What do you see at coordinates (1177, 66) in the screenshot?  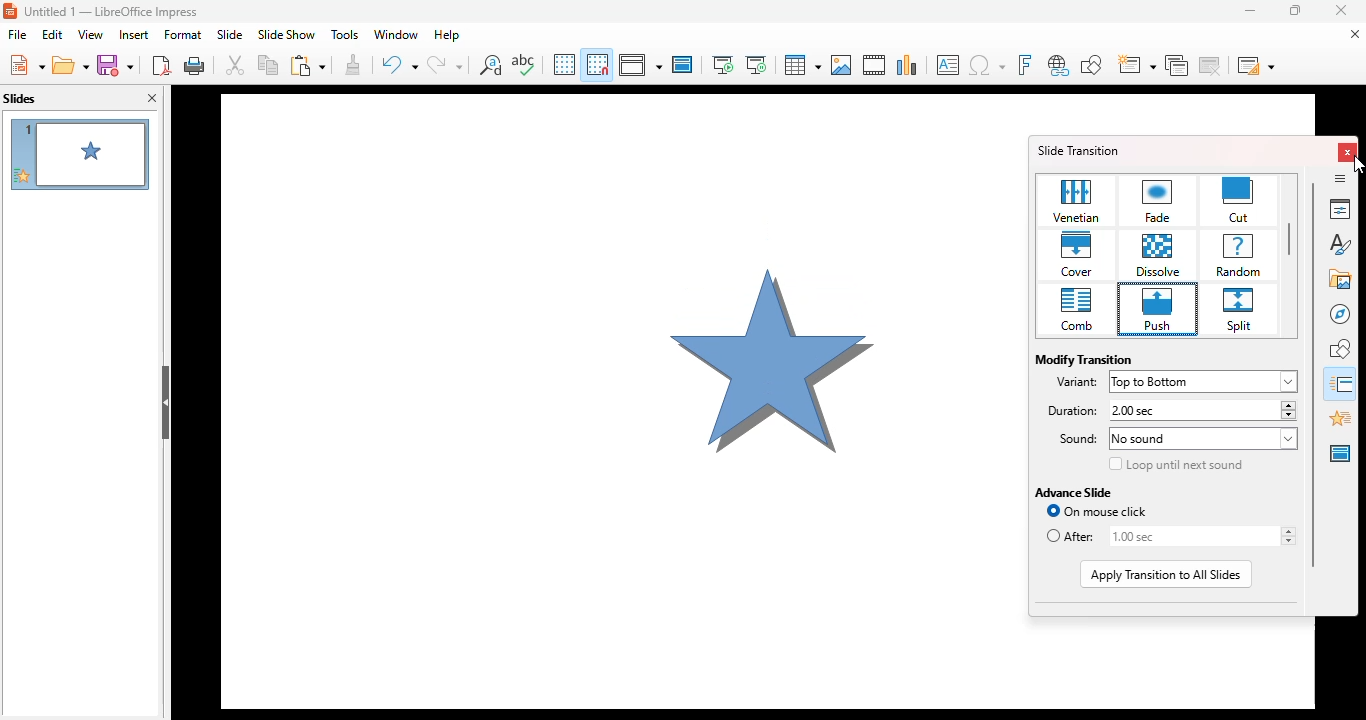 I see `duplicate slide` at bounding box center [1177, 66].